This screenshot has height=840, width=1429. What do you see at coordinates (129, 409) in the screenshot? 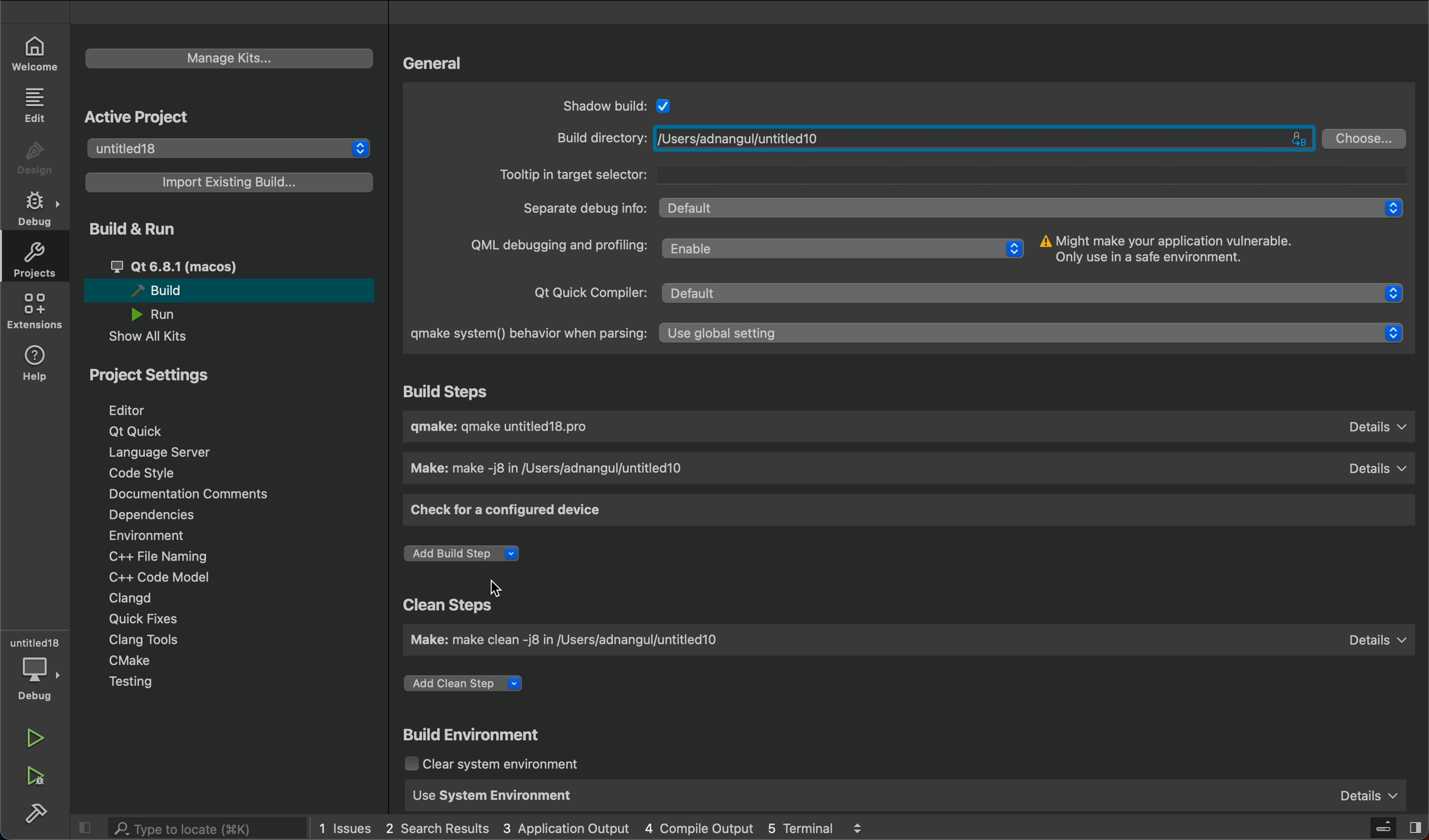
I see `Editor` at bounding box center [129, 409].